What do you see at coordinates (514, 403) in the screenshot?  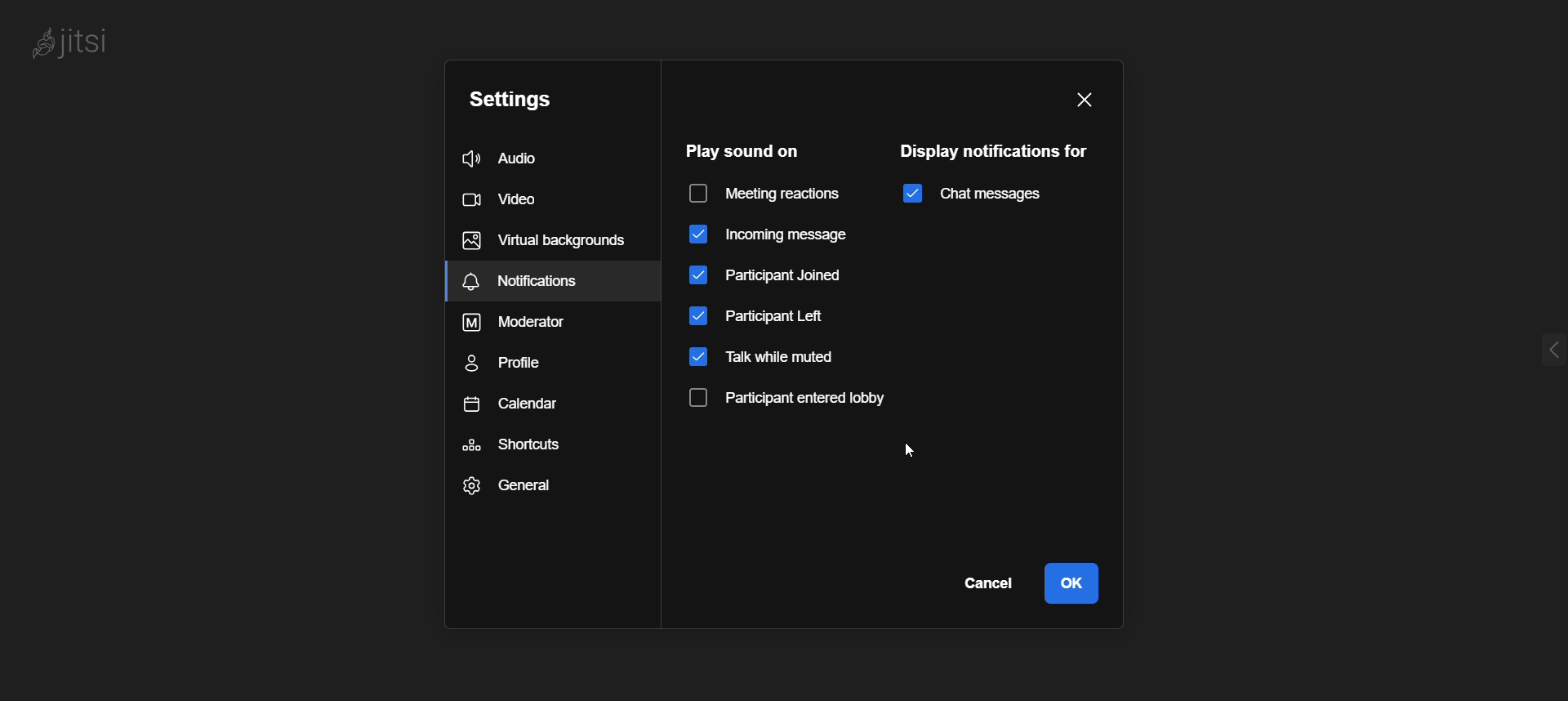 I see `Calendar` at bounding box center [514, 403].